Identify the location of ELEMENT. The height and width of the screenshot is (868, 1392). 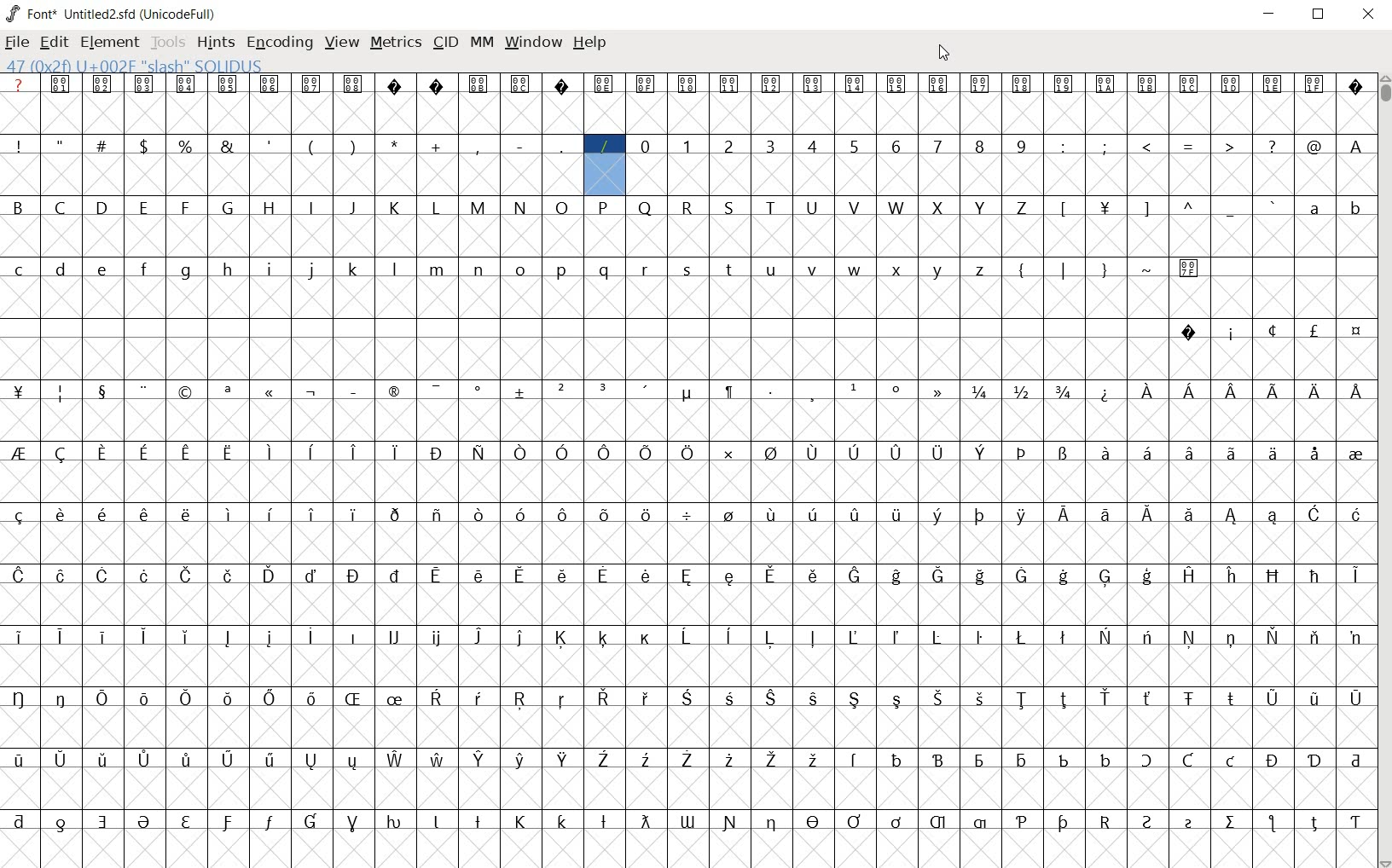
(111, 43).